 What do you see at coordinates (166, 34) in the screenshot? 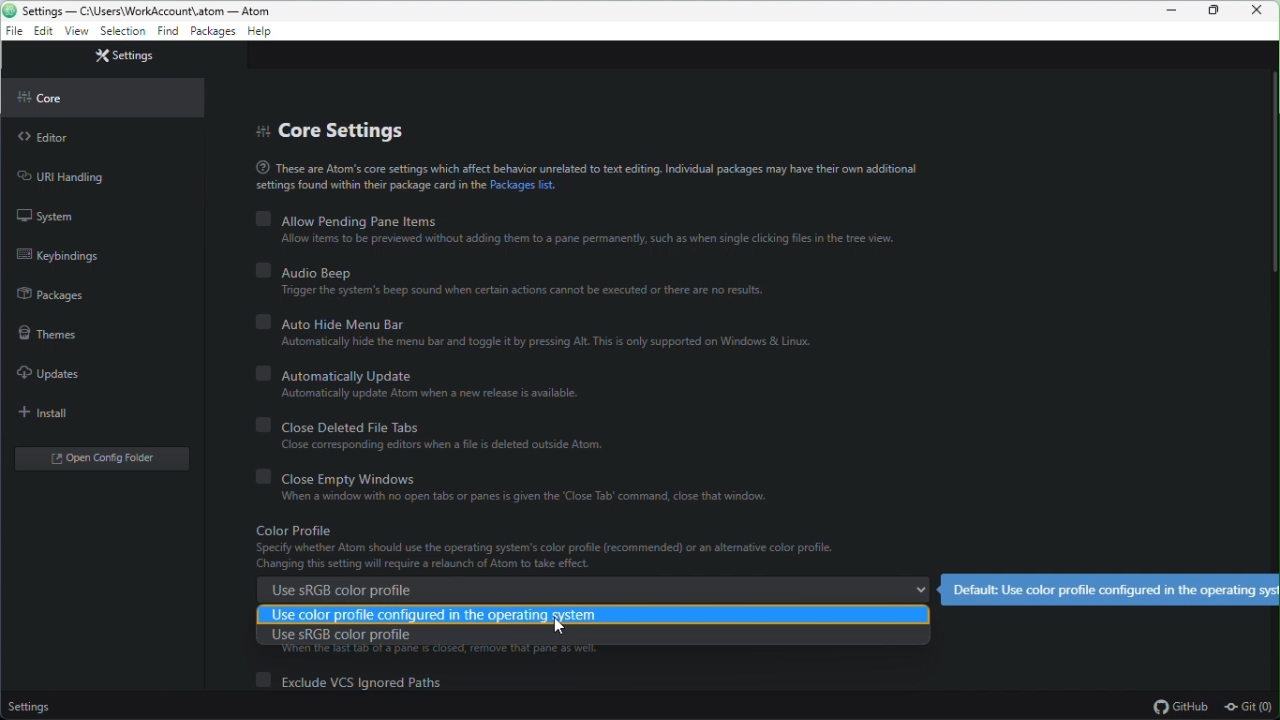
I see `find` at bounding box center [166, 34].